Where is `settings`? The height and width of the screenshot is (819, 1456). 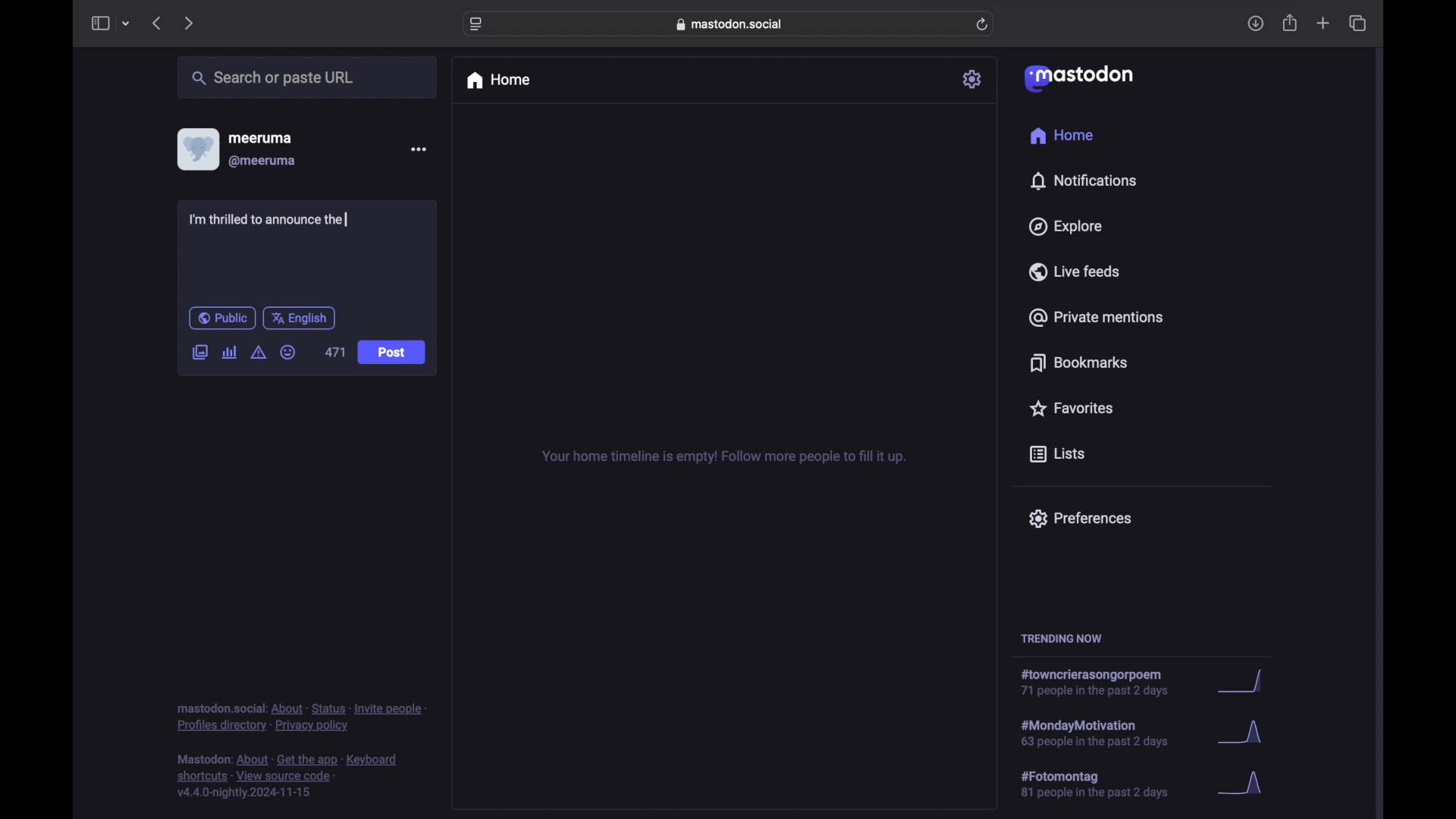 settings is located at coordinates (973, 79).